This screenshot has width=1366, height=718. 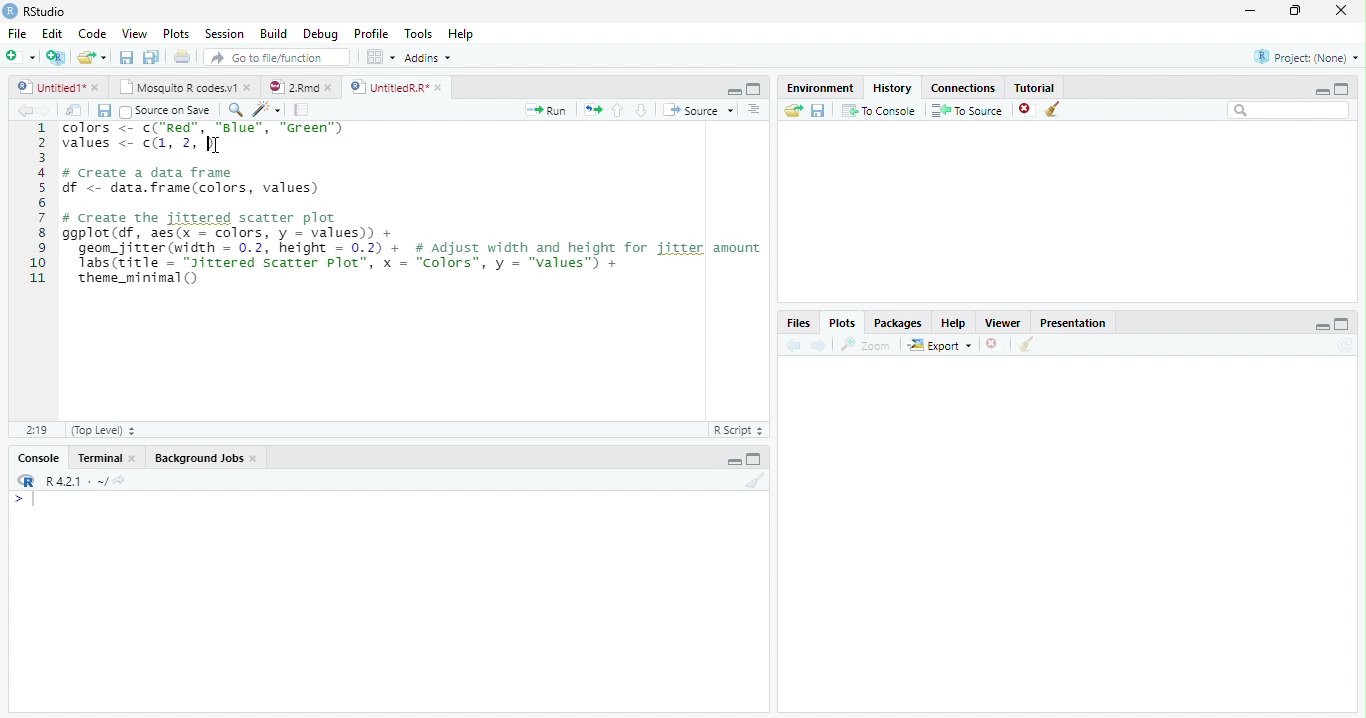 What do you see at coordinates (121, 480) in the screenshot?
I see `View the current working directory` at bounding box center [121, 480].